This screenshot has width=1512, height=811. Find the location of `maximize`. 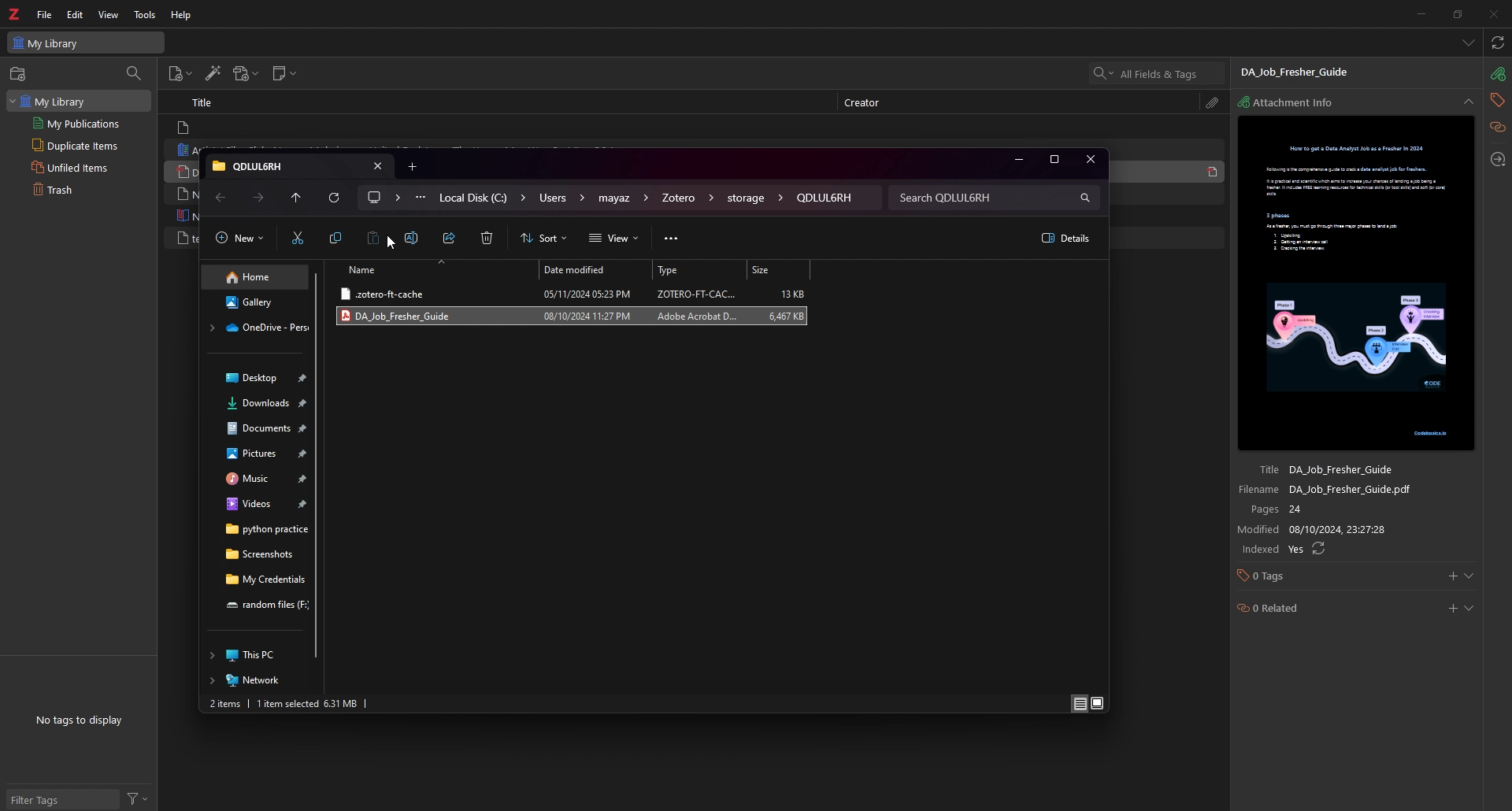

maximize is located at coordinates (1052, 159).